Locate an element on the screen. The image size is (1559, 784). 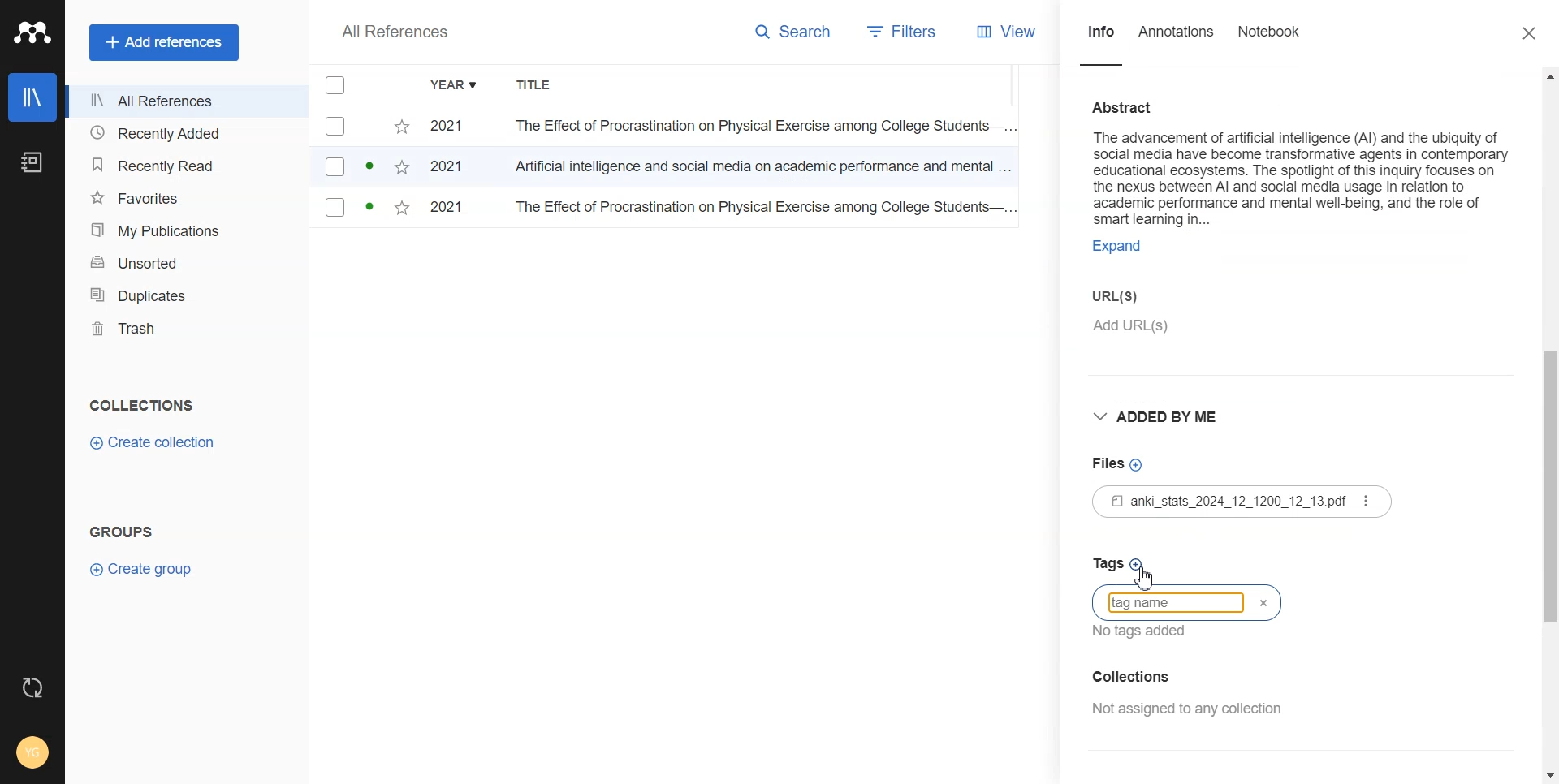
Auto sync is located at coordinates (32, 687).